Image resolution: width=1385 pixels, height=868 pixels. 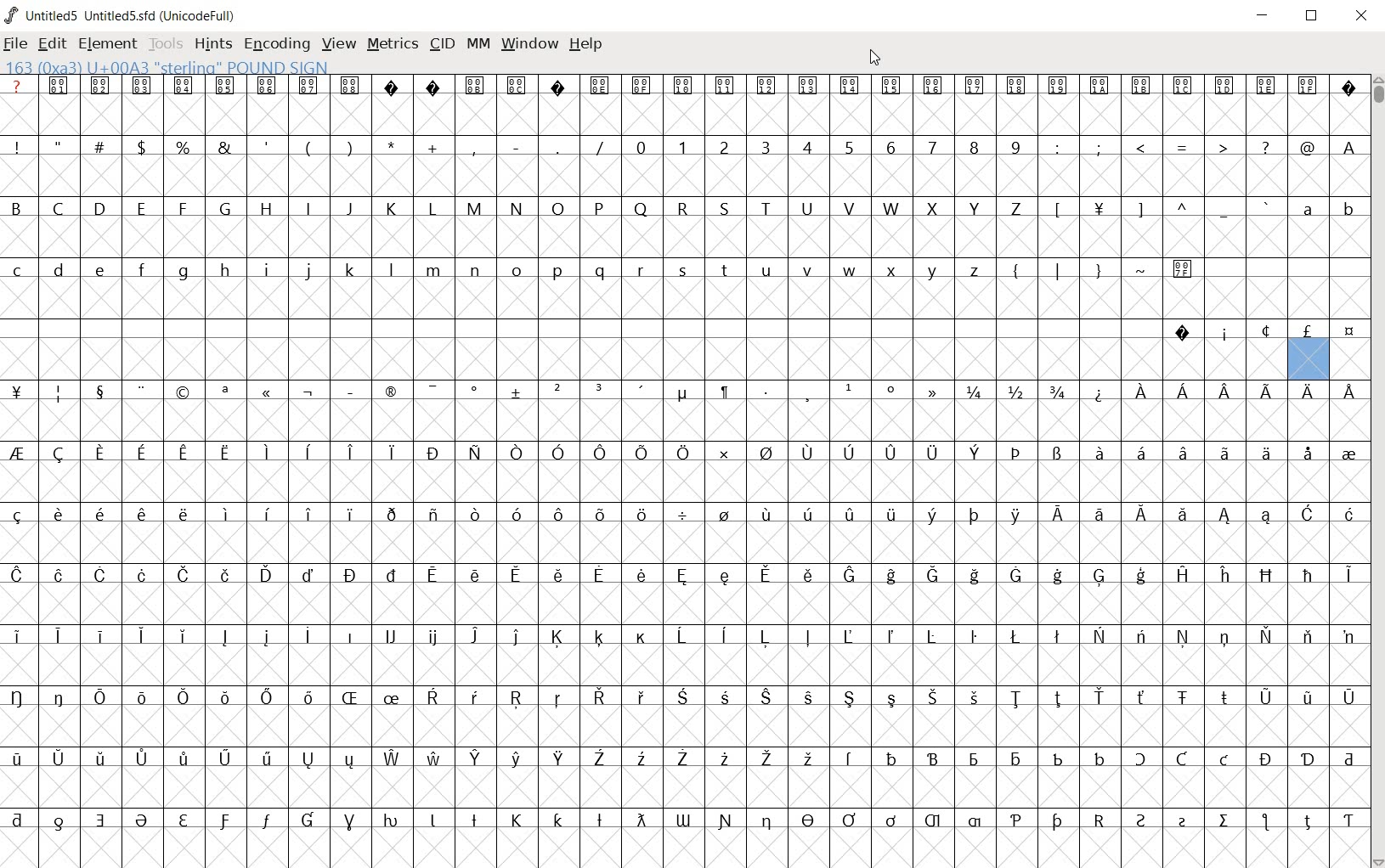 What do you see at coordinates (1100, 636) in the screenshot?
I see `Symbol` at bounding box center [1100, 636].